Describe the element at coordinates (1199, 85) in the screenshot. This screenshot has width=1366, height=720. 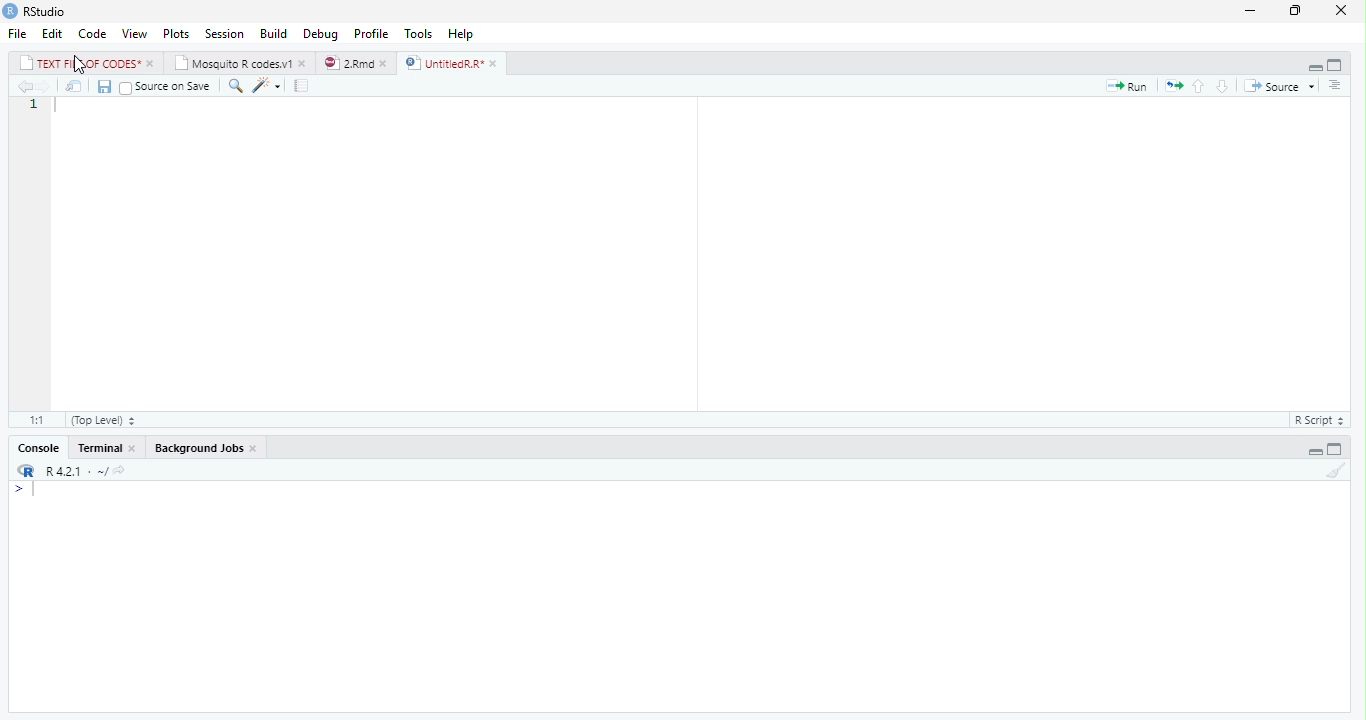
I see `Go to previous section` at that location.